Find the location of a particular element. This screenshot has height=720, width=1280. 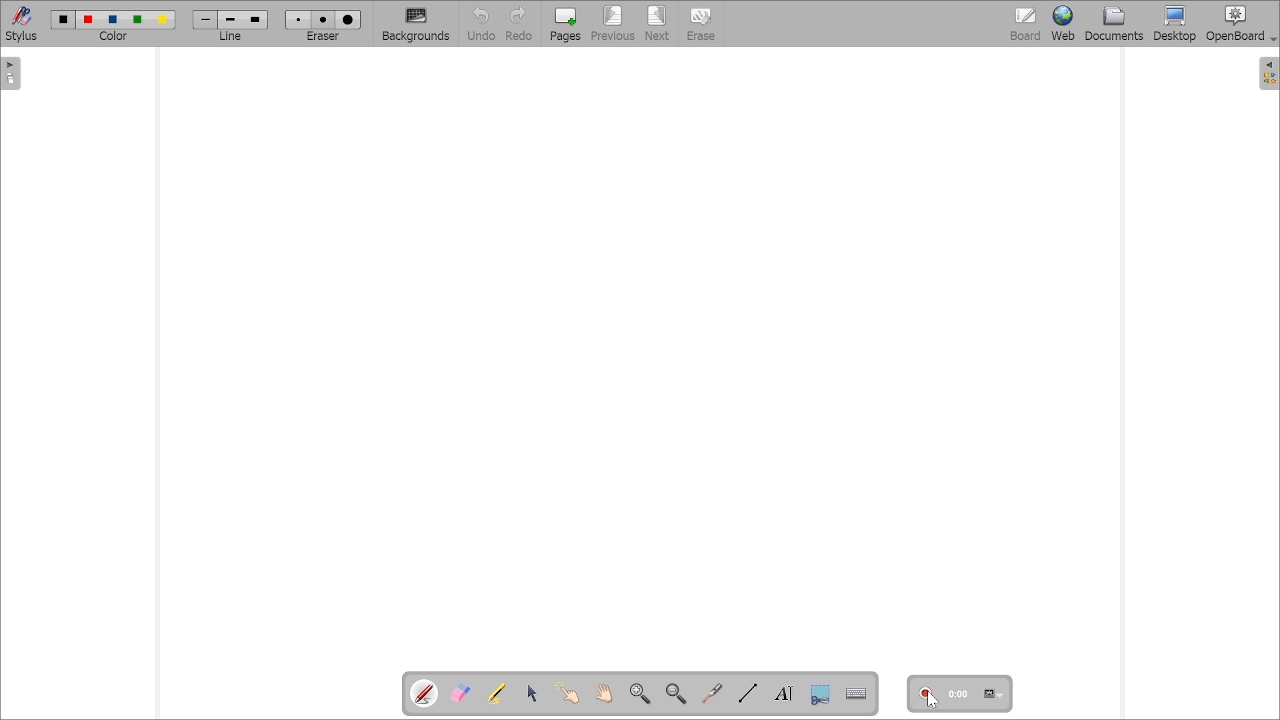

Zoom out is located at coordinates (675, 694).